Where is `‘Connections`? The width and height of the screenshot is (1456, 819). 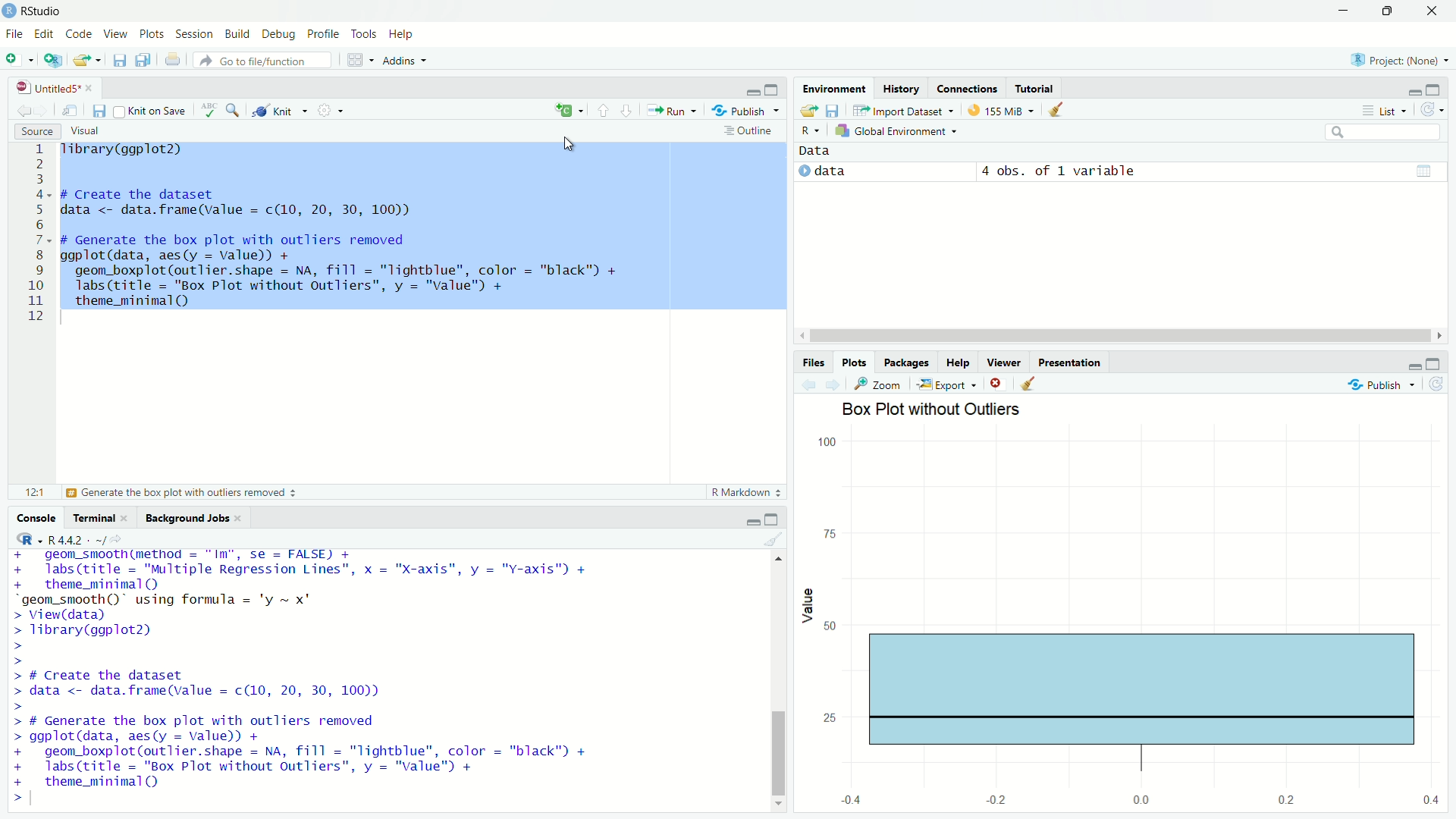
‘Connections is located at coordinates (967, 88).